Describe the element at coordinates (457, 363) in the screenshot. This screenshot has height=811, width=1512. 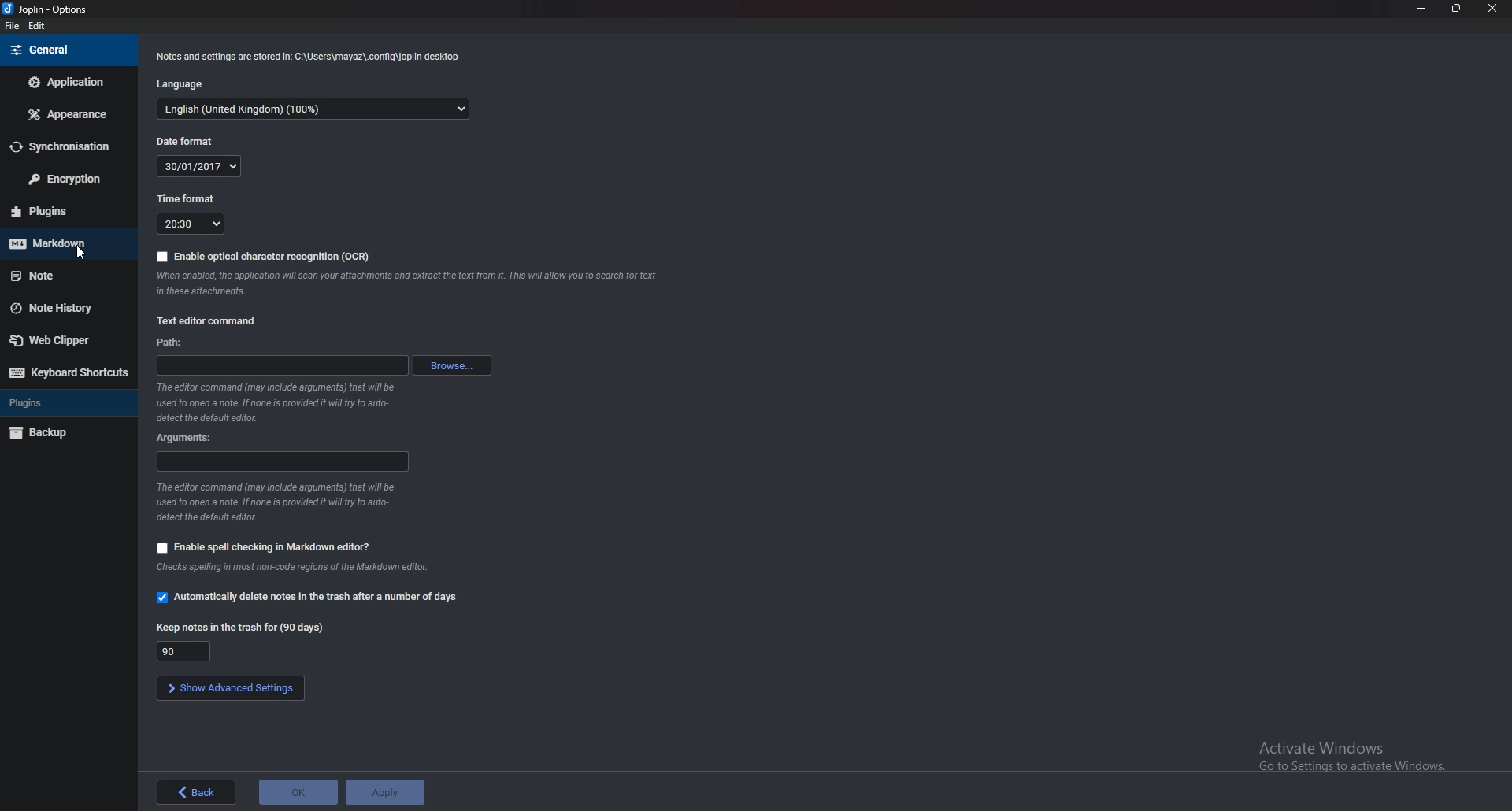
I see `browse` at that location.